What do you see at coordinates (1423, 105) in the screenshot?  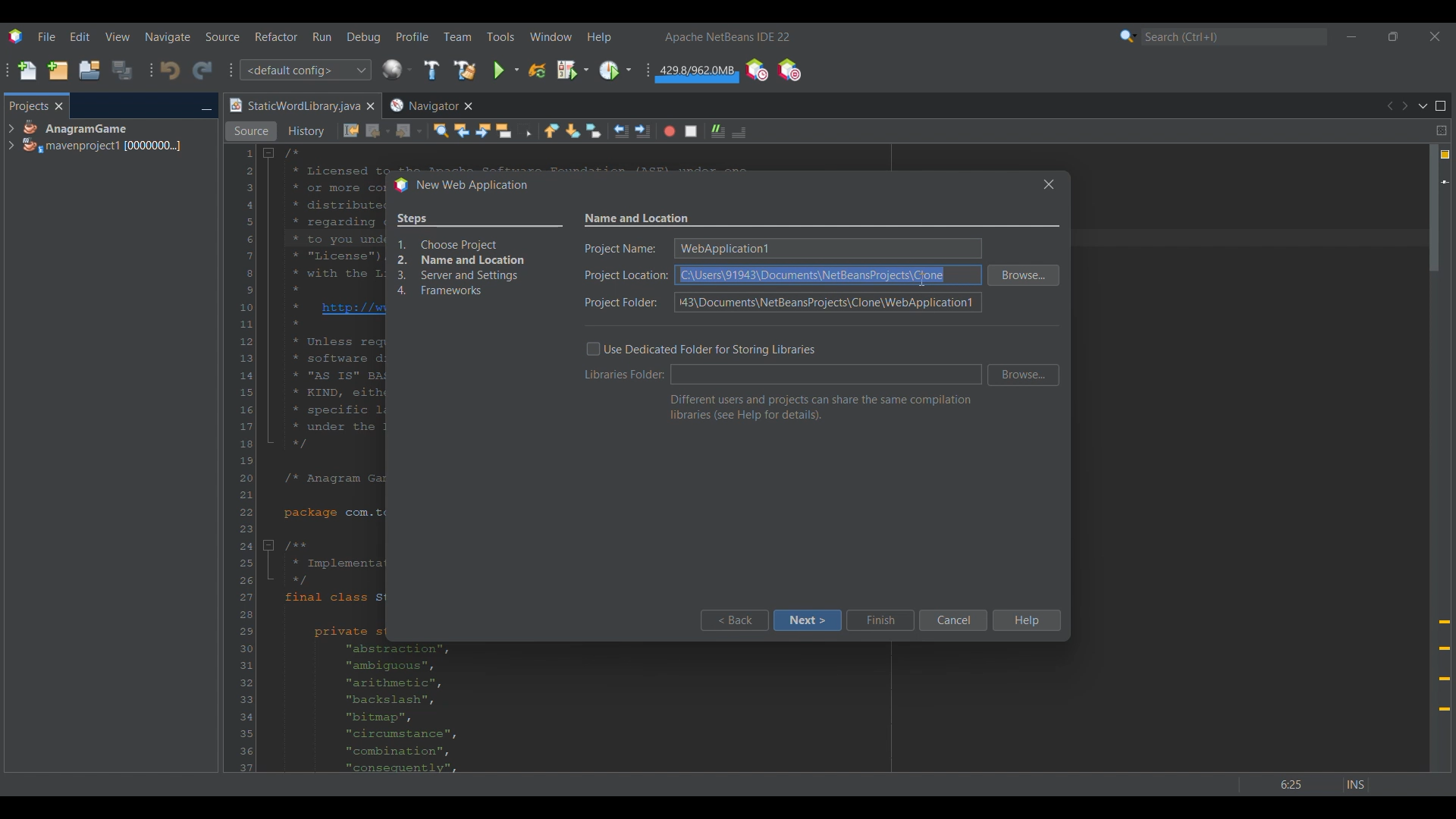 I see `Show documents list` at bounding box center [1423, 105].